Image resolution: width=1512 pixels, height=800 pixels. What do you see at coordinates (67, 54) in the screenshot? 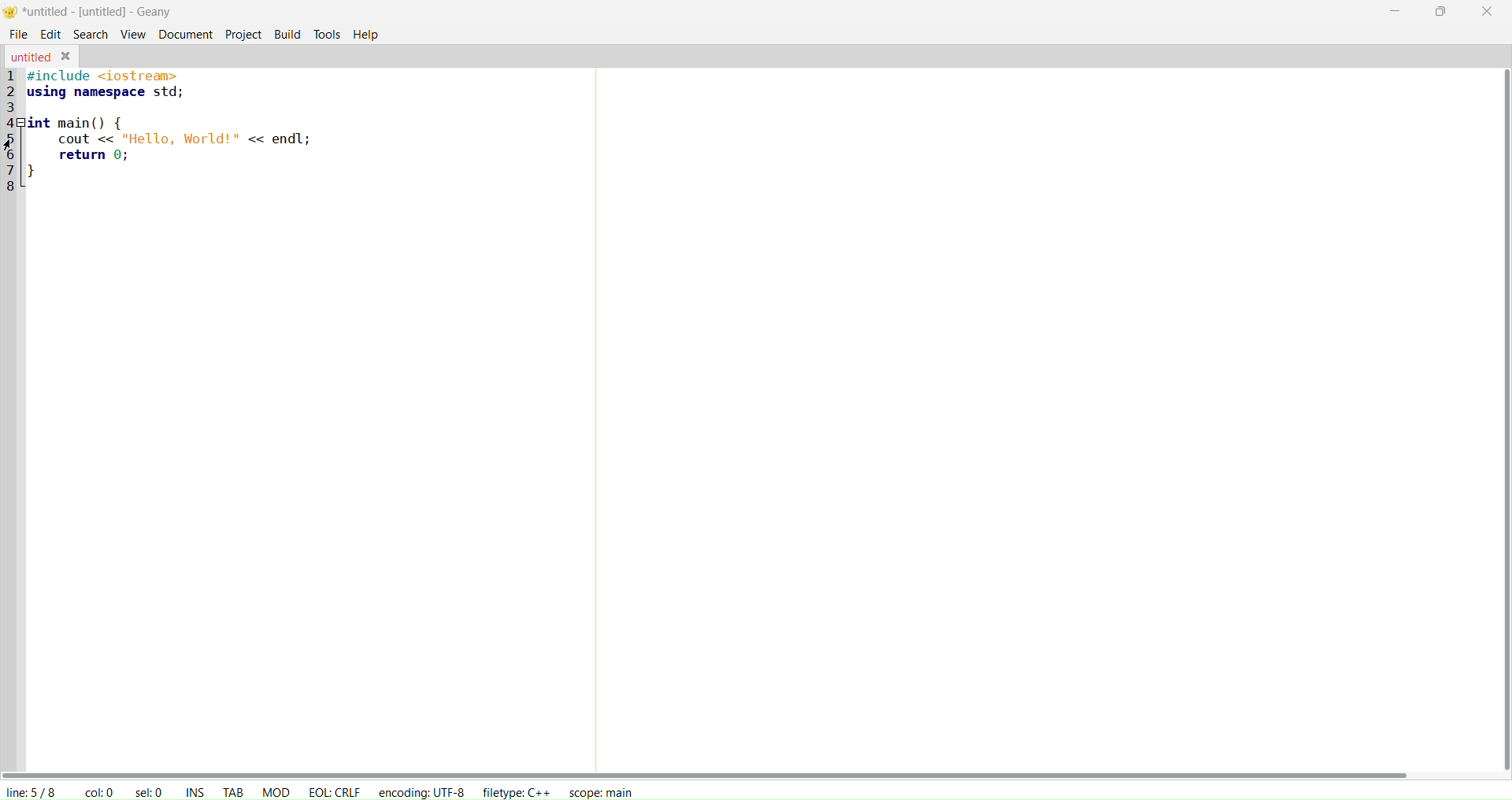
I see `close tab` at bounding box center [67, 54].